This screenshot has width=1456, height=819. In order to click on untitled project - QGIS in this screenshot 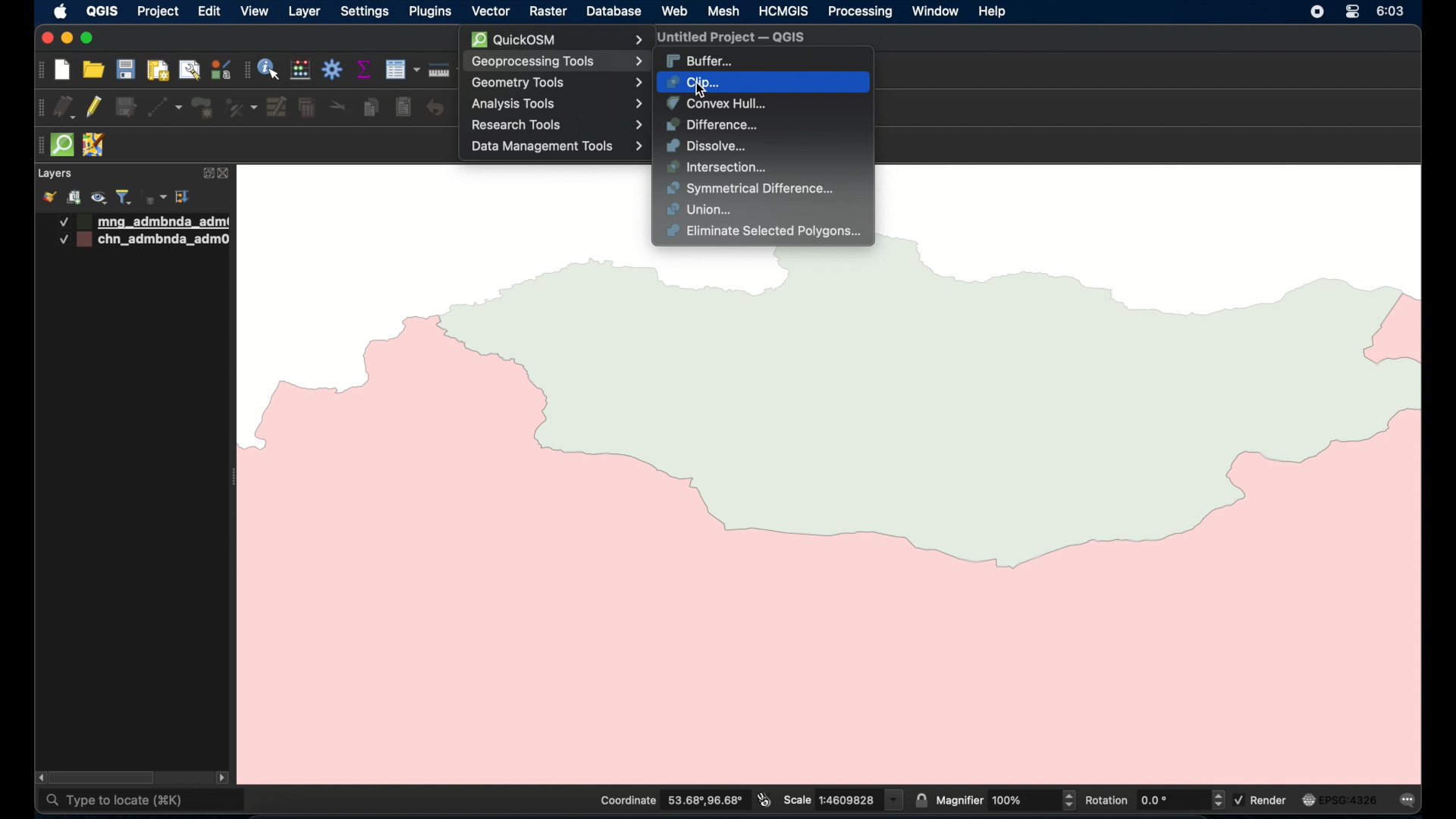, I will do `click(727, 39)`.